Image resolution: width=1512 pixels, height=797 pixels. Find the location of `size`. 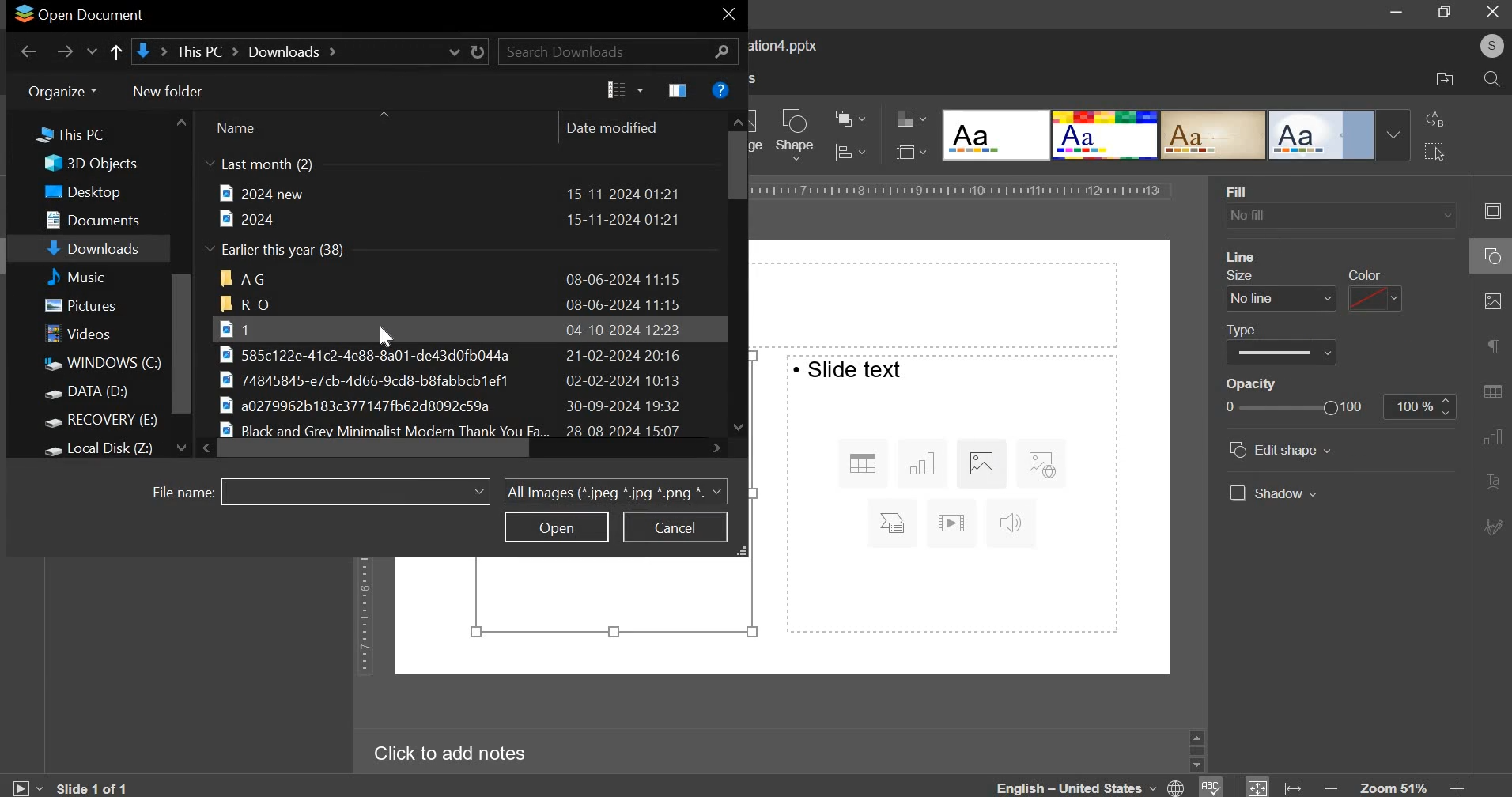

size is located at coordinates (1238, 275).